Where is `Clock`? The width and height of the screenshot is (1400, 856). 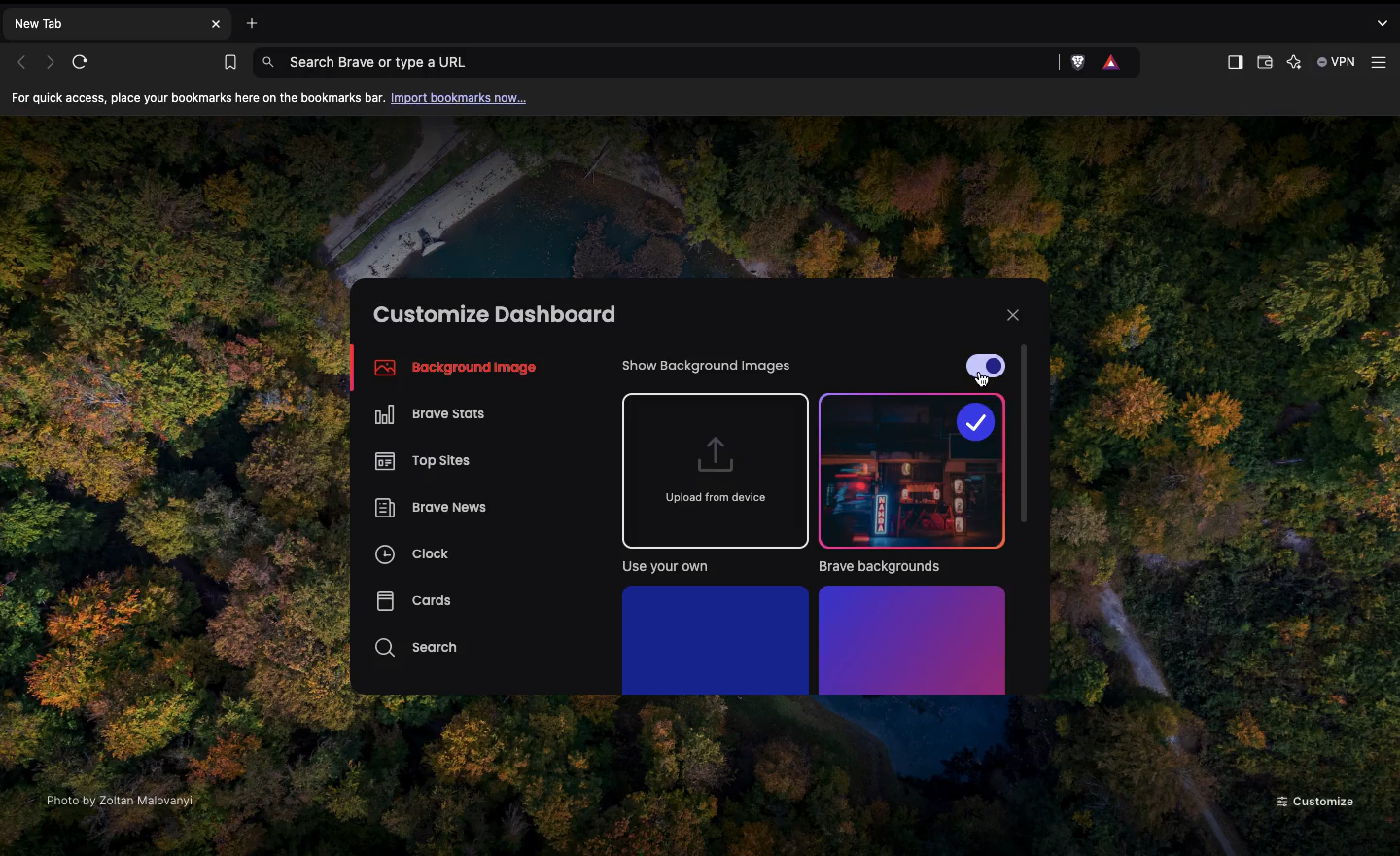 Clock is located at coordinates (414, 557).